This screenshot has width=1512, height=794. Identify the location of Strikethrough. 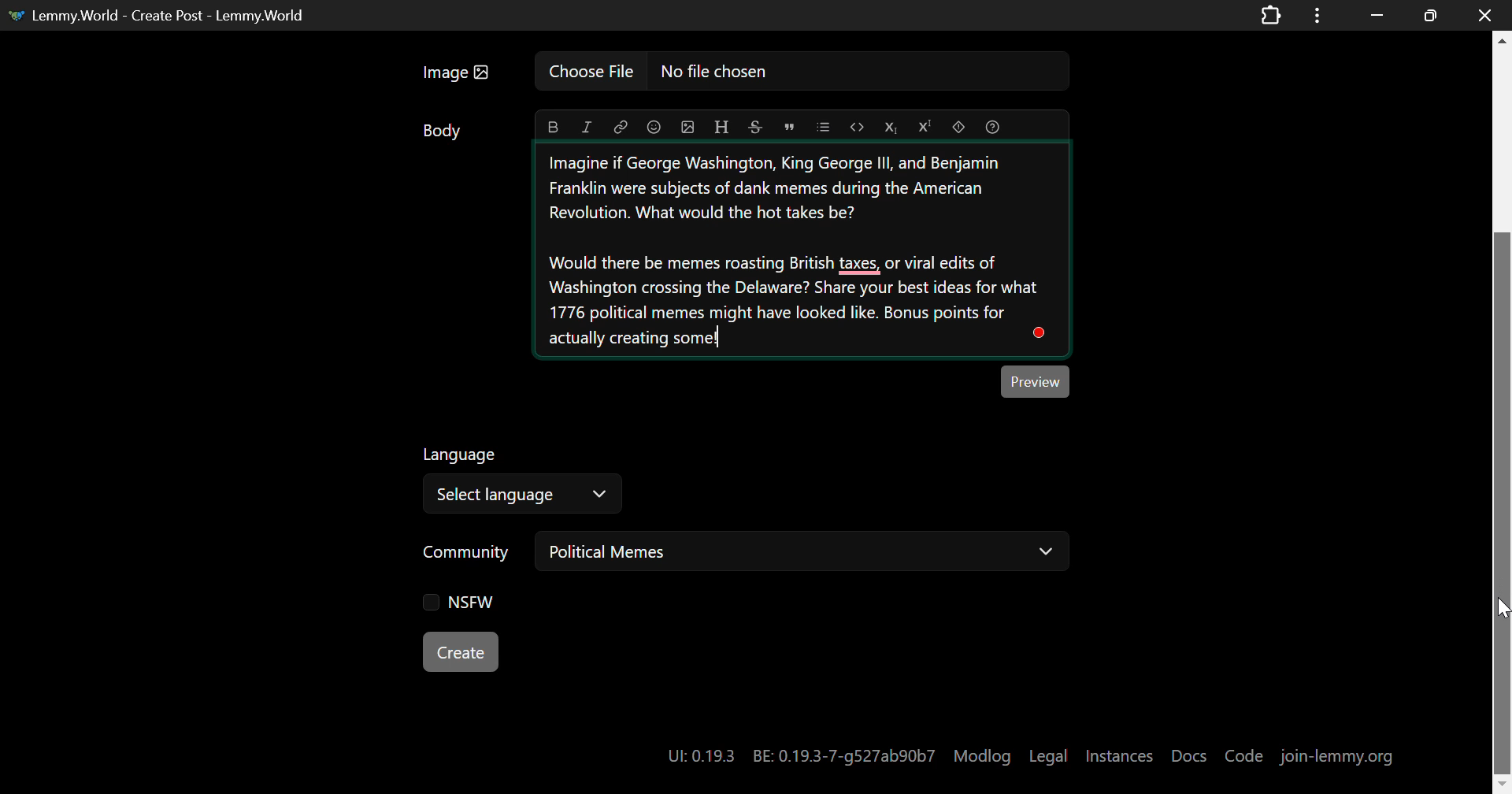
(755, 128).